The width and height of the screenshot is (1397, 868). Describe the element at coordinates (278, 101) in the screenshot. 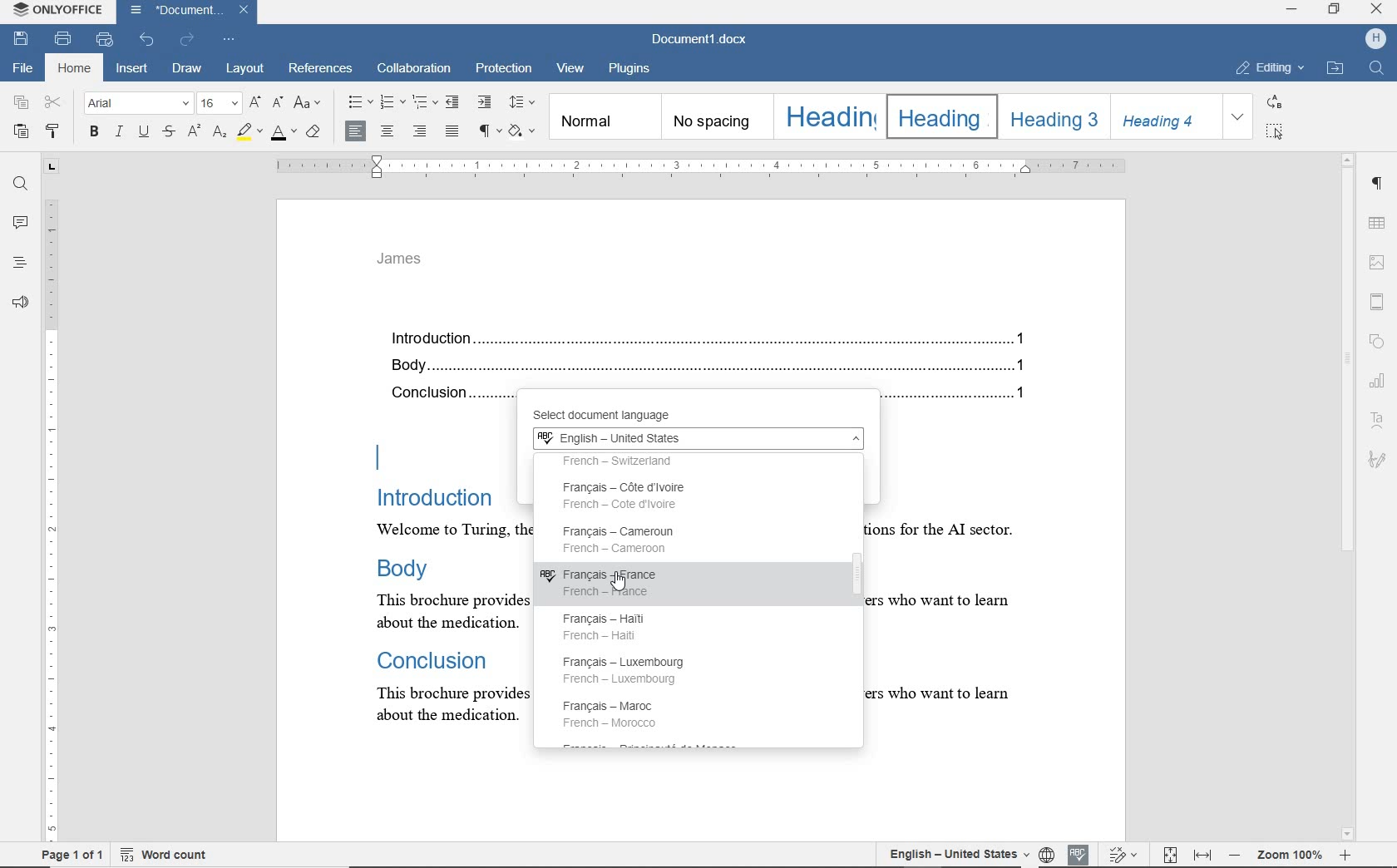

I see `decrement font size` at that location.